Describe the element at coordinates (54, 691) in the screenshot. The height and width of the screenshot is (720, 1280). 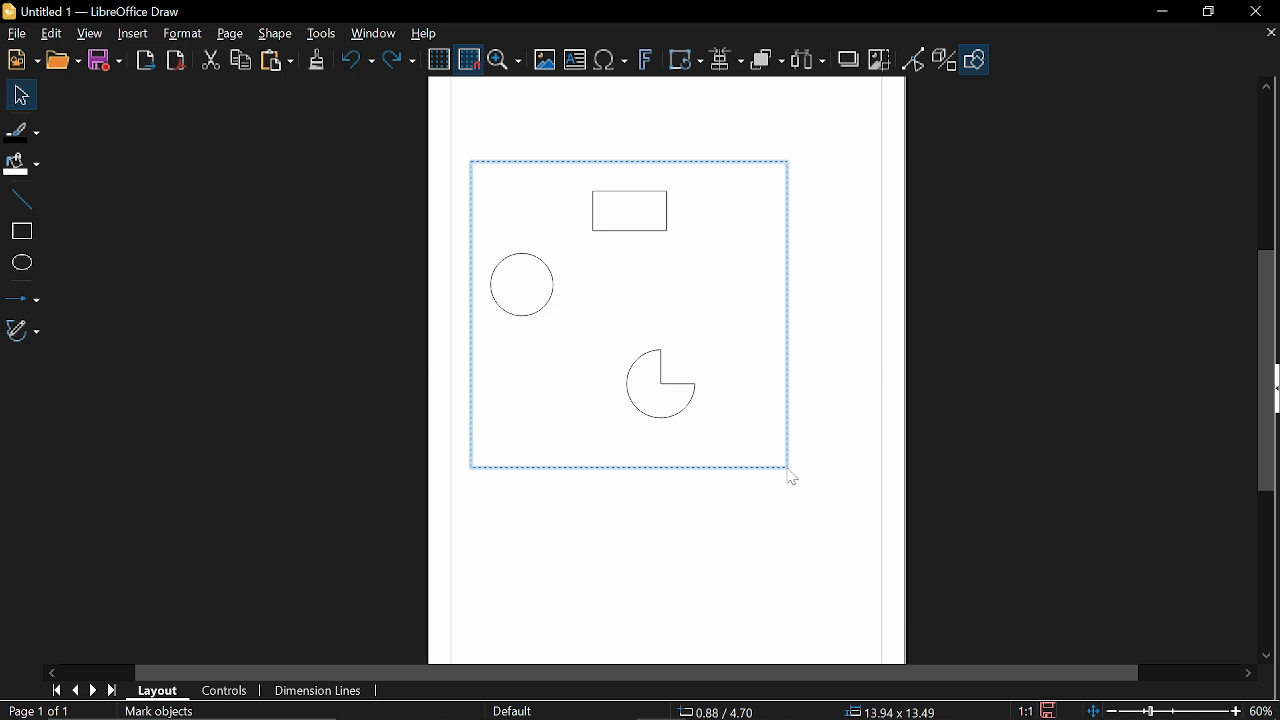
I see `First page` at that location.